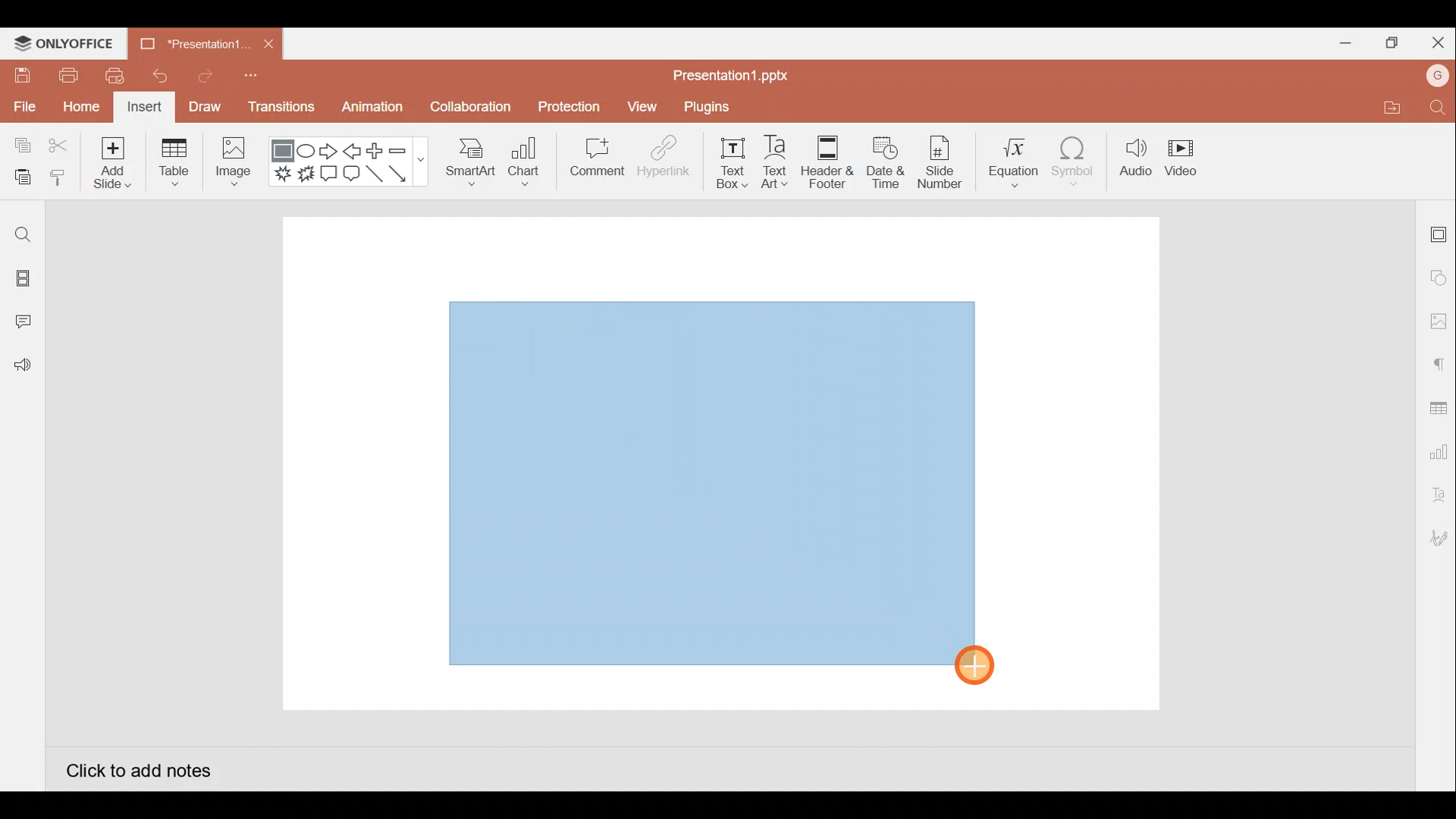 The width and height of the screenshot is (1456, 819). What do you see at coordinates (284, 152) in the screenshot?
I see `Rectangle` at bounding box center [284, 152].